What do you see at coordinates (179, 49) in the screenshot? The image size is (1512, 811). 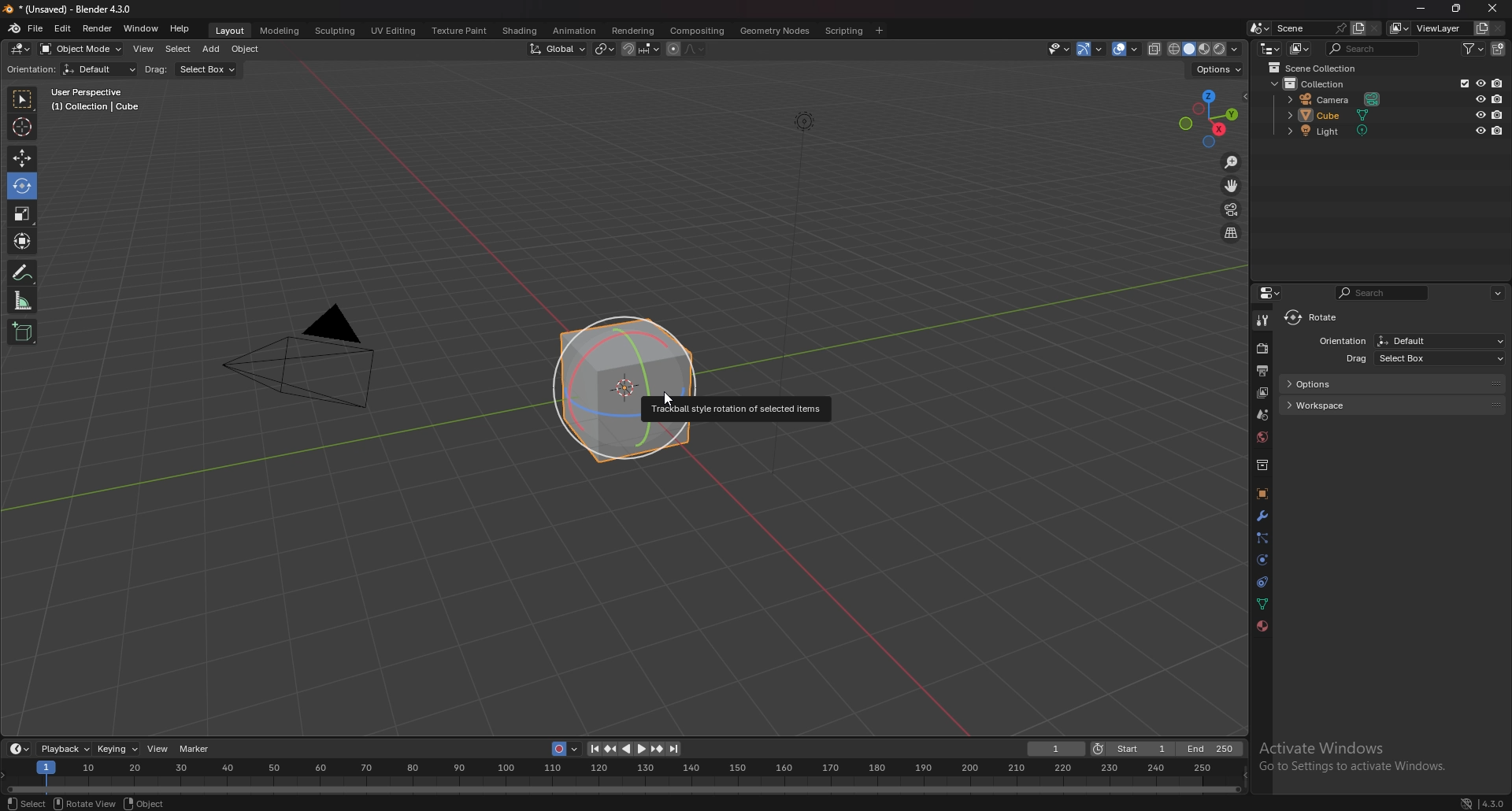 I see `select` at bounding box center [179, 49].